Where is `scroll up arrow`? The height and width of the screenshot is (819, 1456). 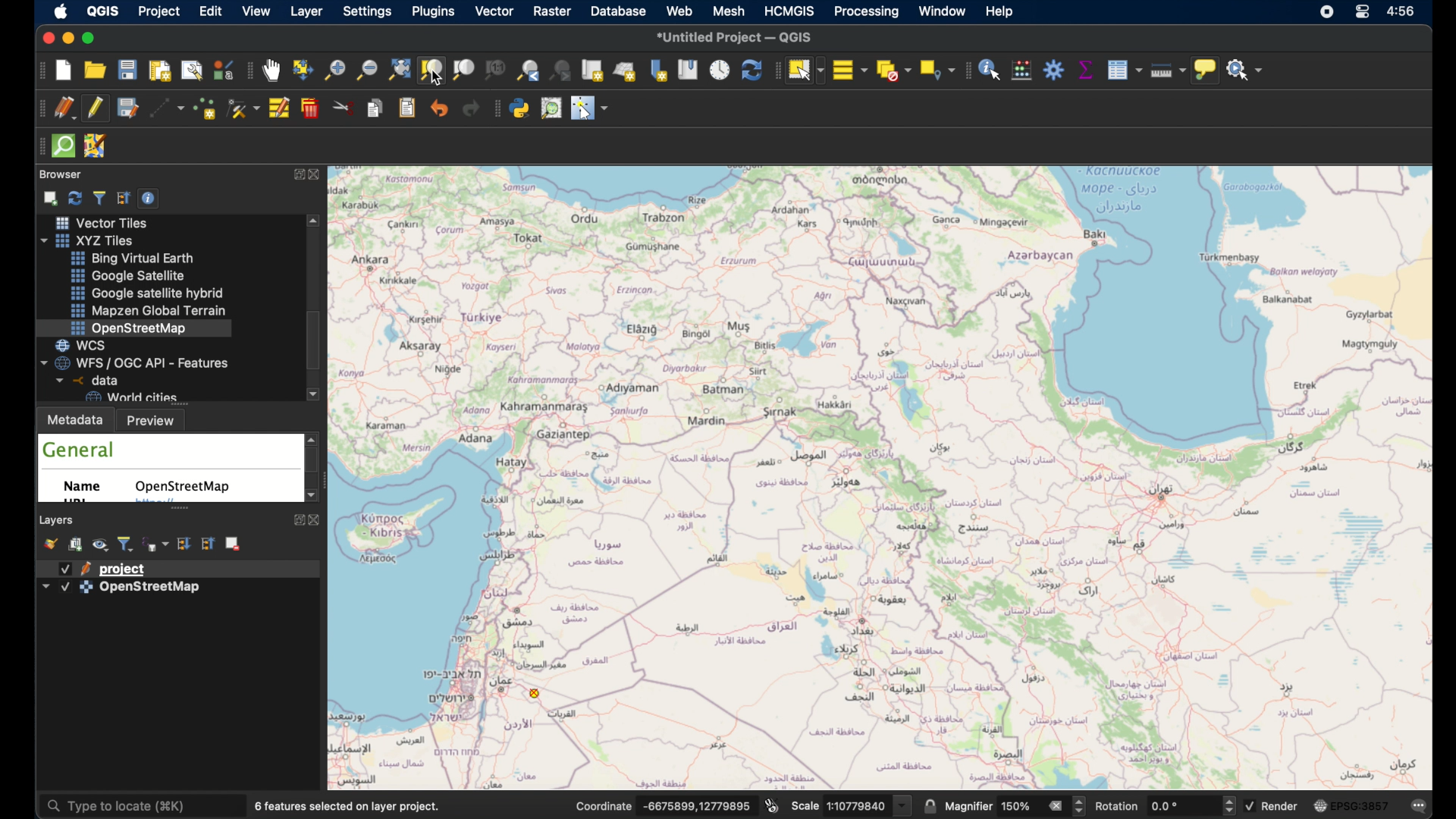
scroll up arrow is located at coordinates (313, 437).